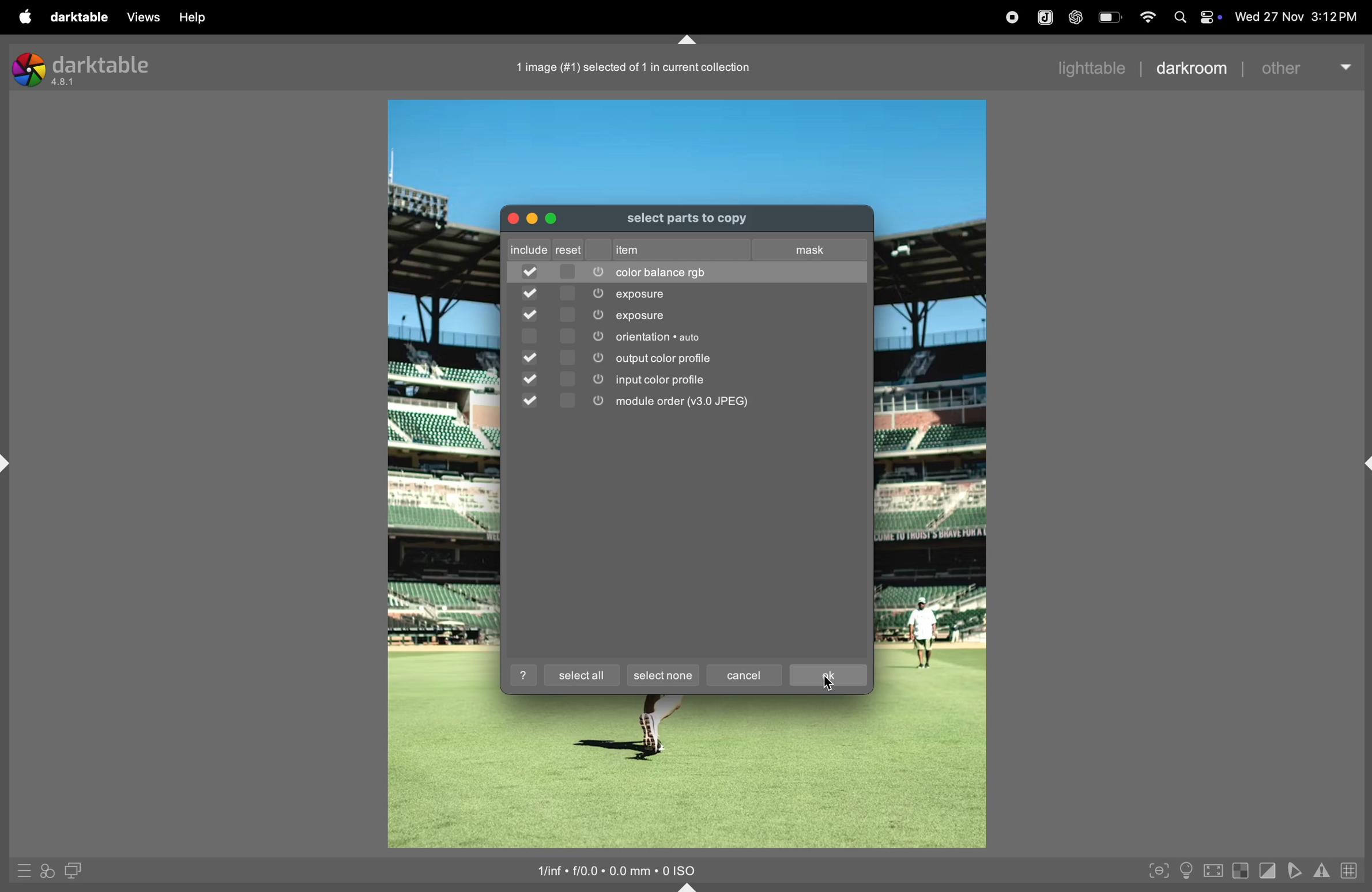  Describe the element at coordinates (1159, 869) in the screenshot. I see `toggle focus peaking mode` at that location.